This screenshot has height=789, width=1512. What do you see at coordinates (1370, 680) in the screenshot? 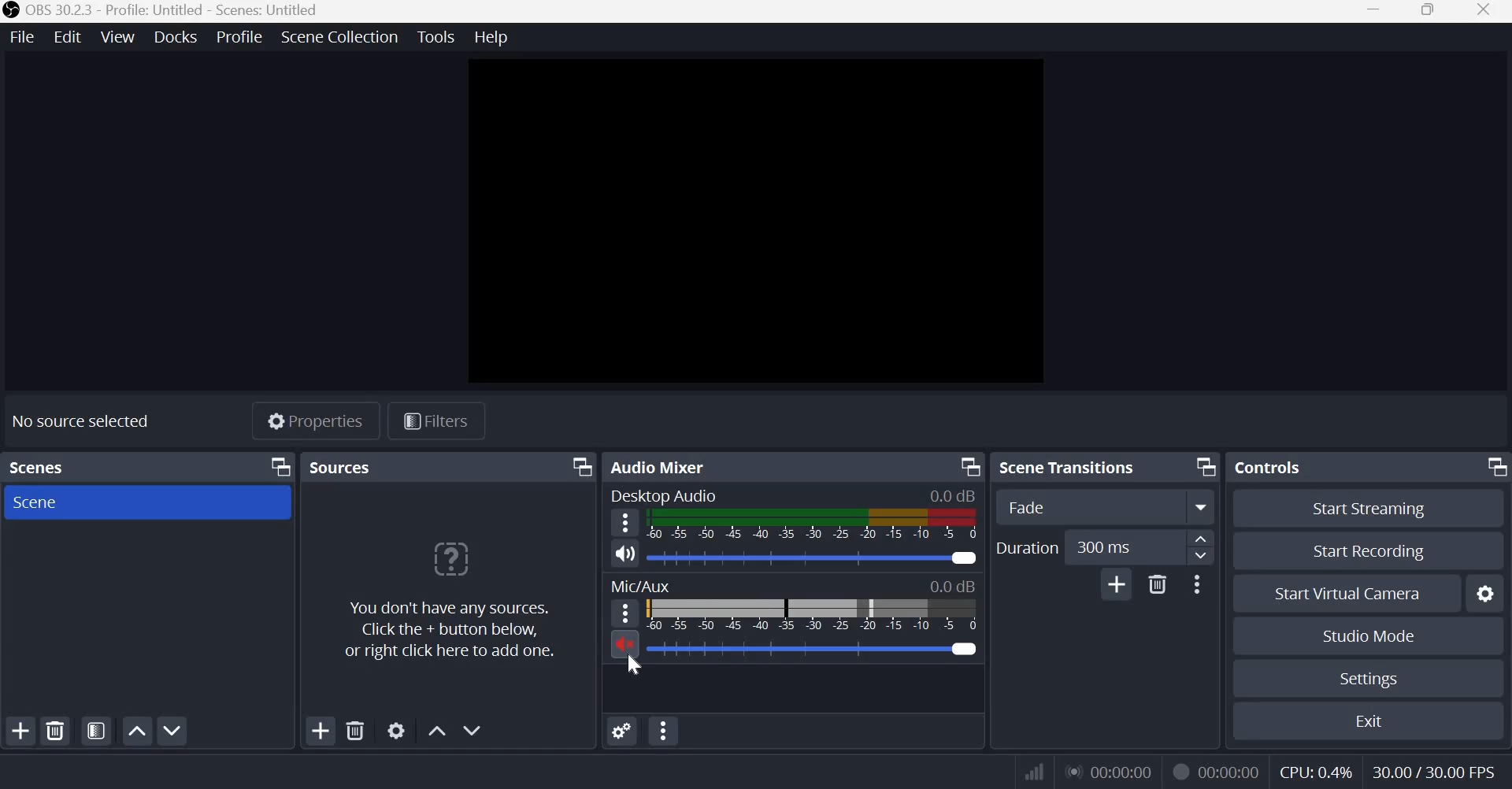
I see `Settings` at bounding box center [1370, 680].